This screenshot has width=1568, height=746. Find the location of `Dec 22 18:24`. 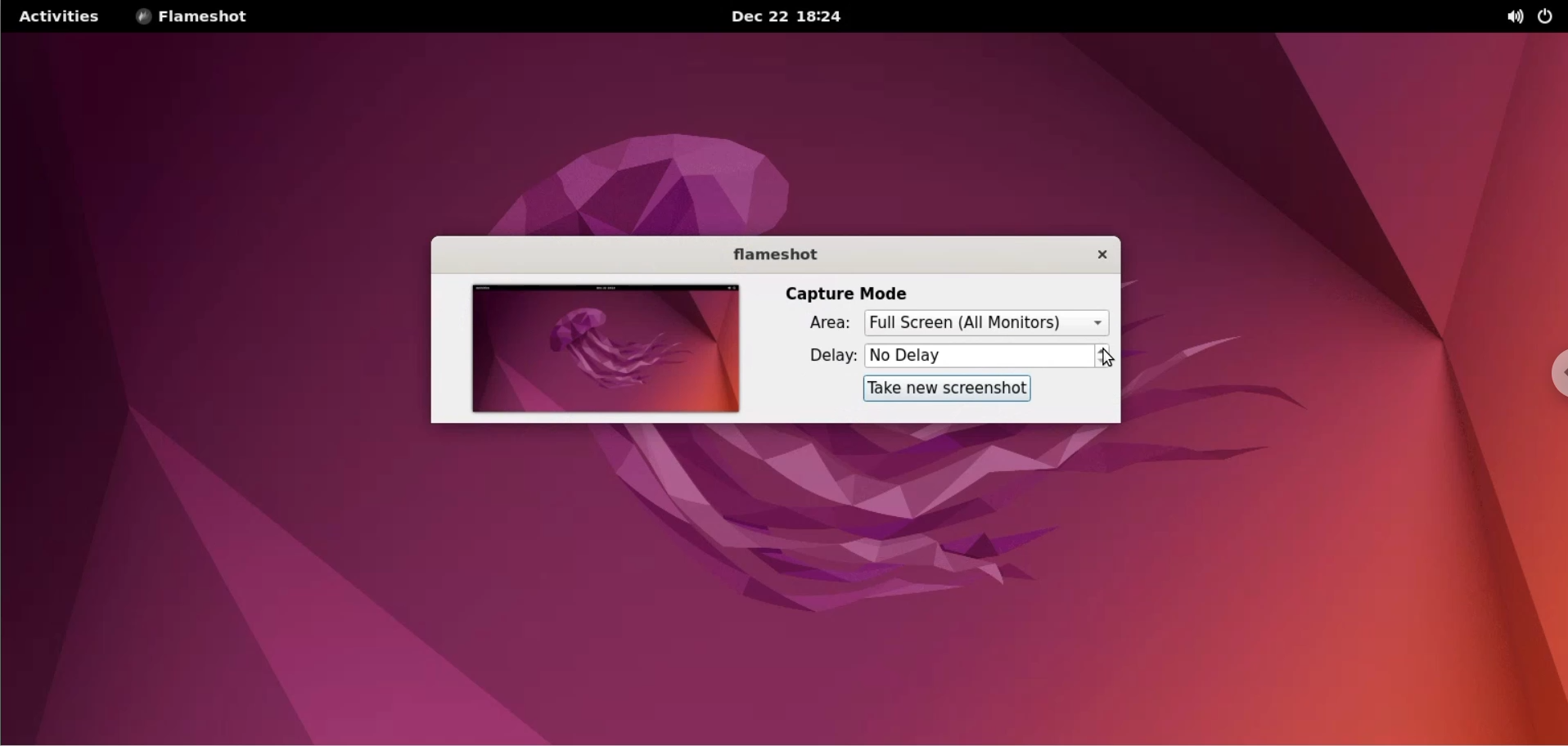

Dec 22 18:24 is located at coordinates (781, 16).